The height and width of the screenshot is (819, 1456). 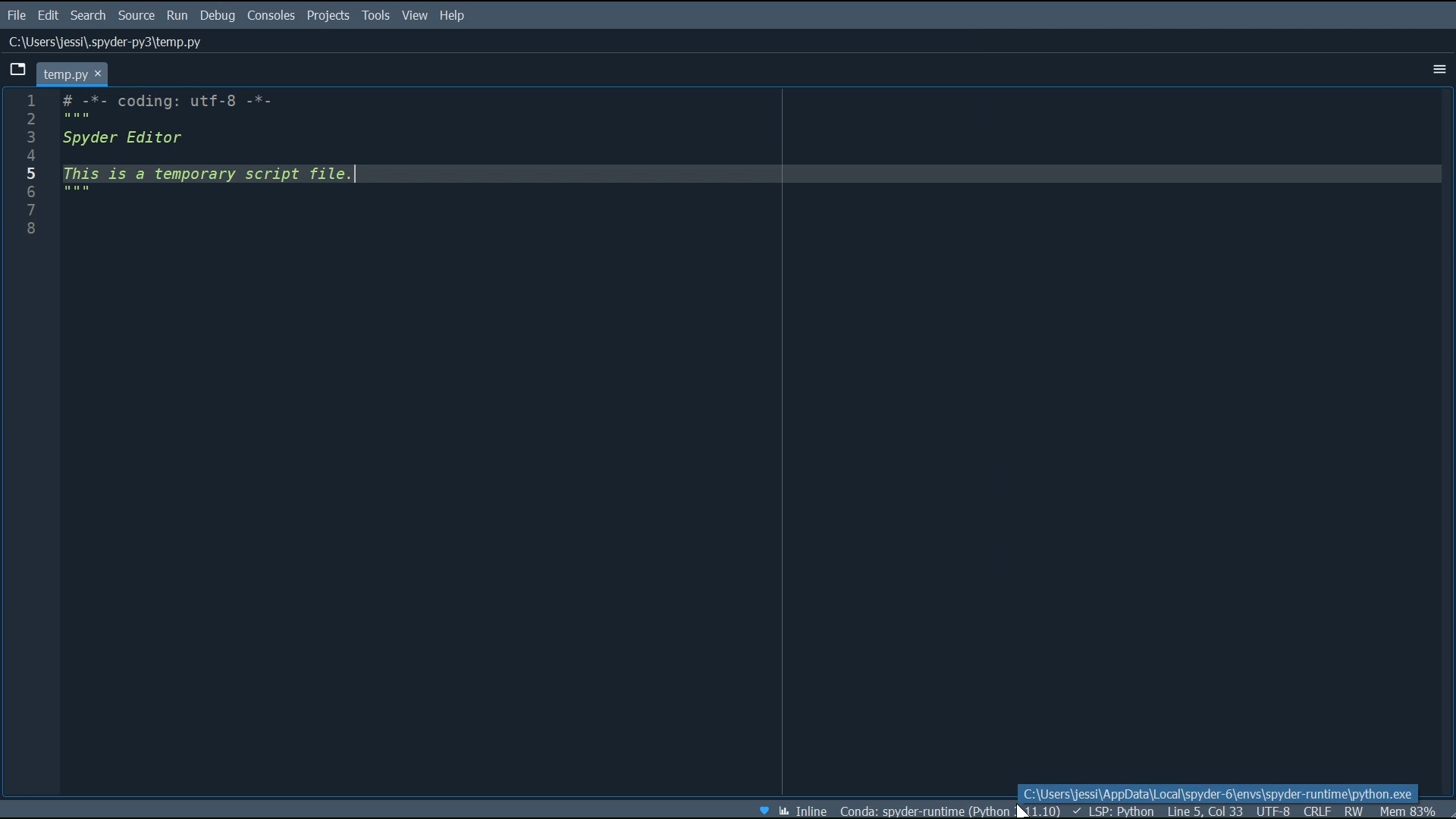 I want to click on Memory Usage, so click(x=1409, y=809).